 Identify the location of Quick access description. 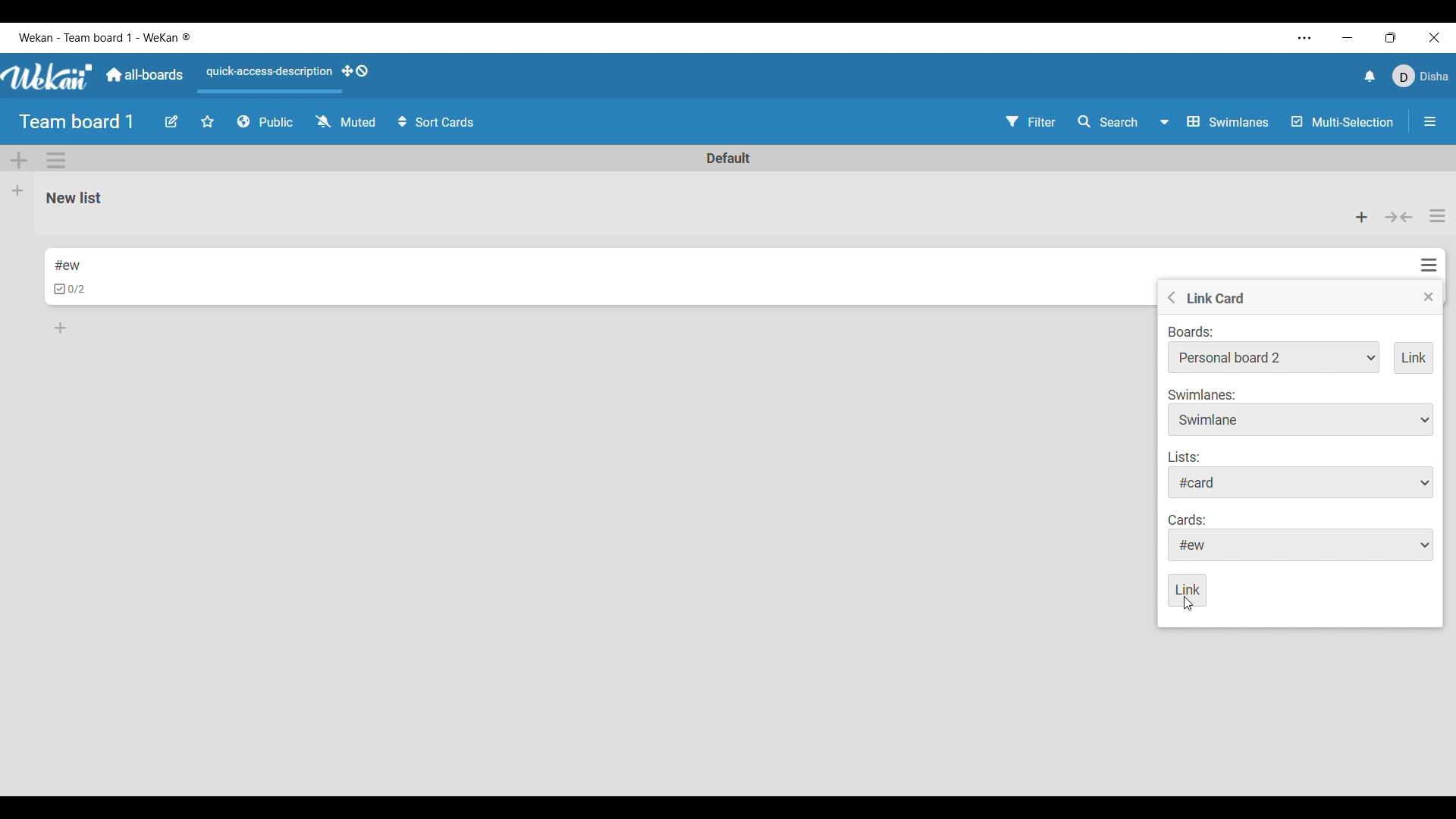
(266, 78).